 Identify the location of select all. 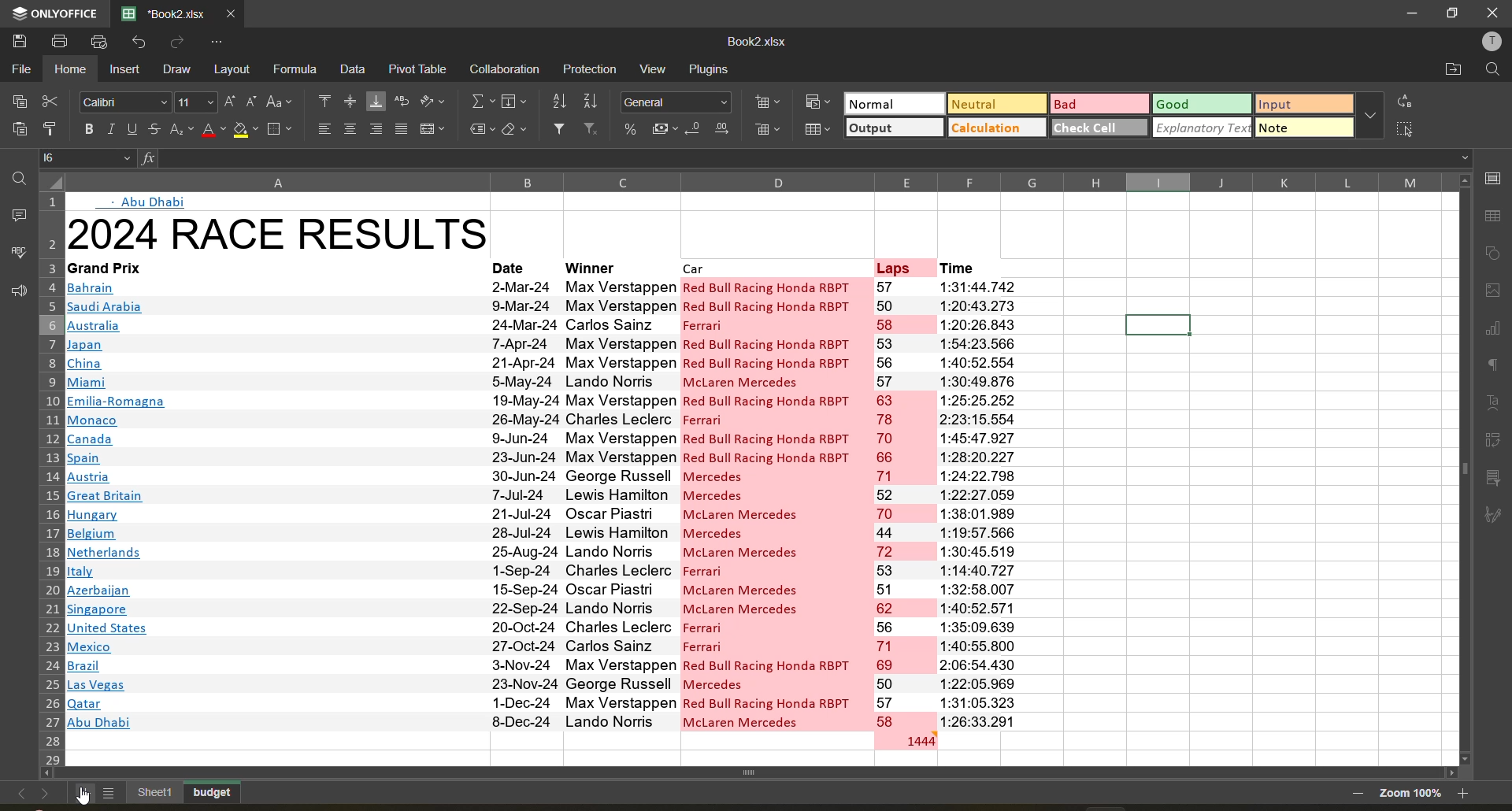
(1411, 131).